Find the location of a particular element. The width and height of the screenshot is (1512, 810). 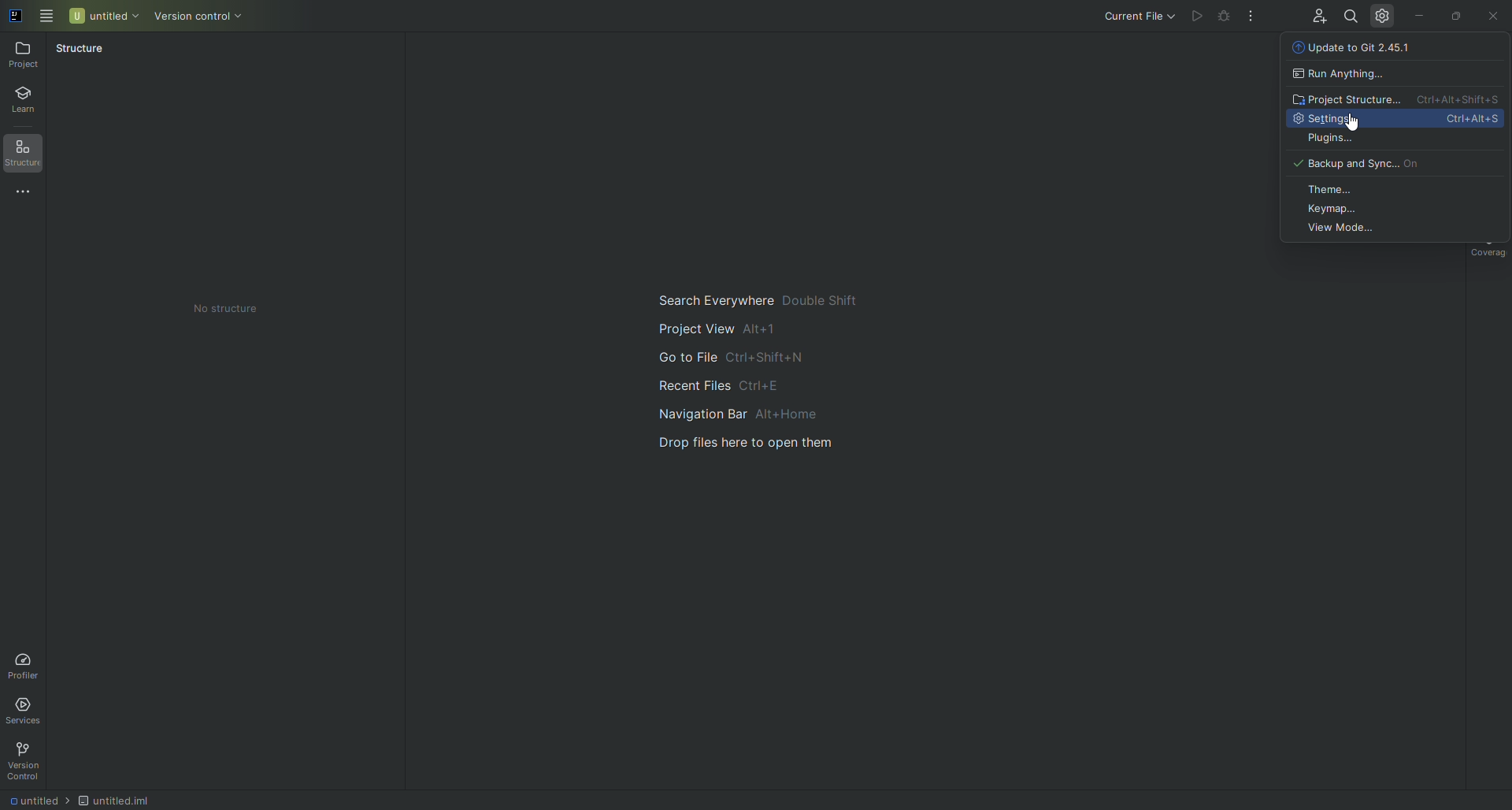

Profiler is located at coordinates (28, 663).